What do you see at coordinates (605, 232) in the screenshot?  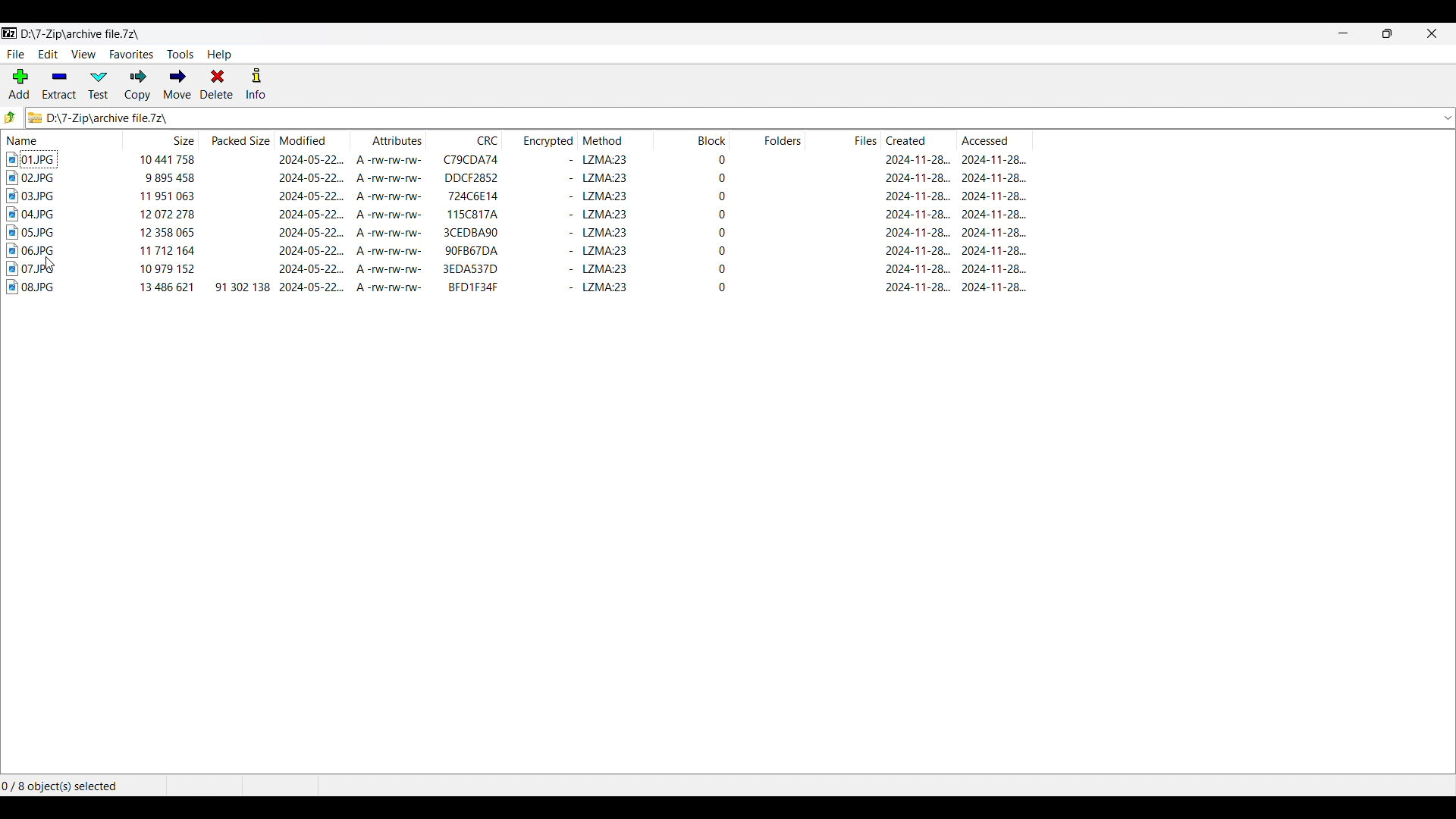 I see `method` at bounding box center [605, 232].